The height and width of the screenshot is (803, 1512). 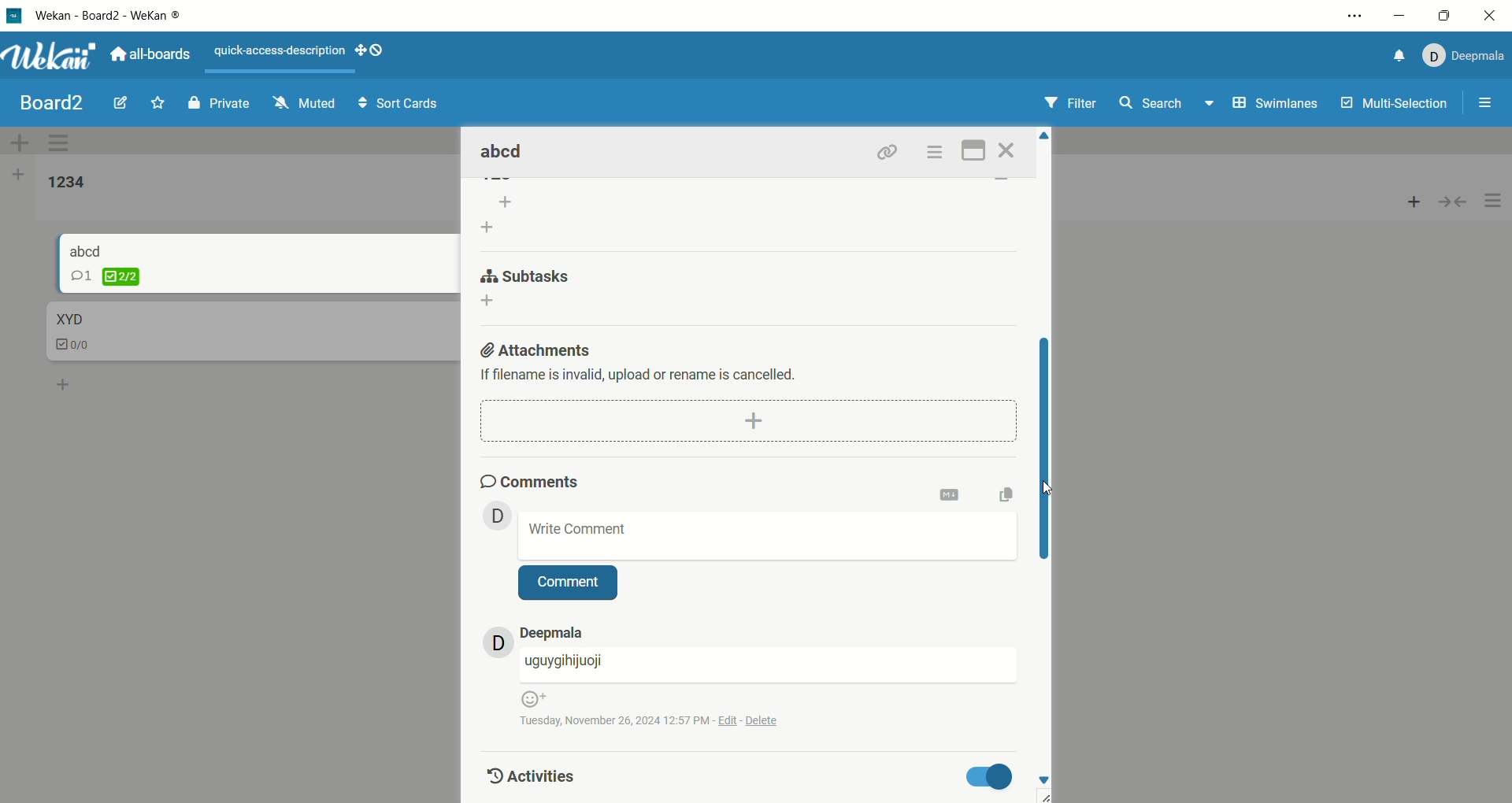 What do you see at coordinates (15, 18) in the screenshot?
I see `logo` at bounding box center [15, 18].